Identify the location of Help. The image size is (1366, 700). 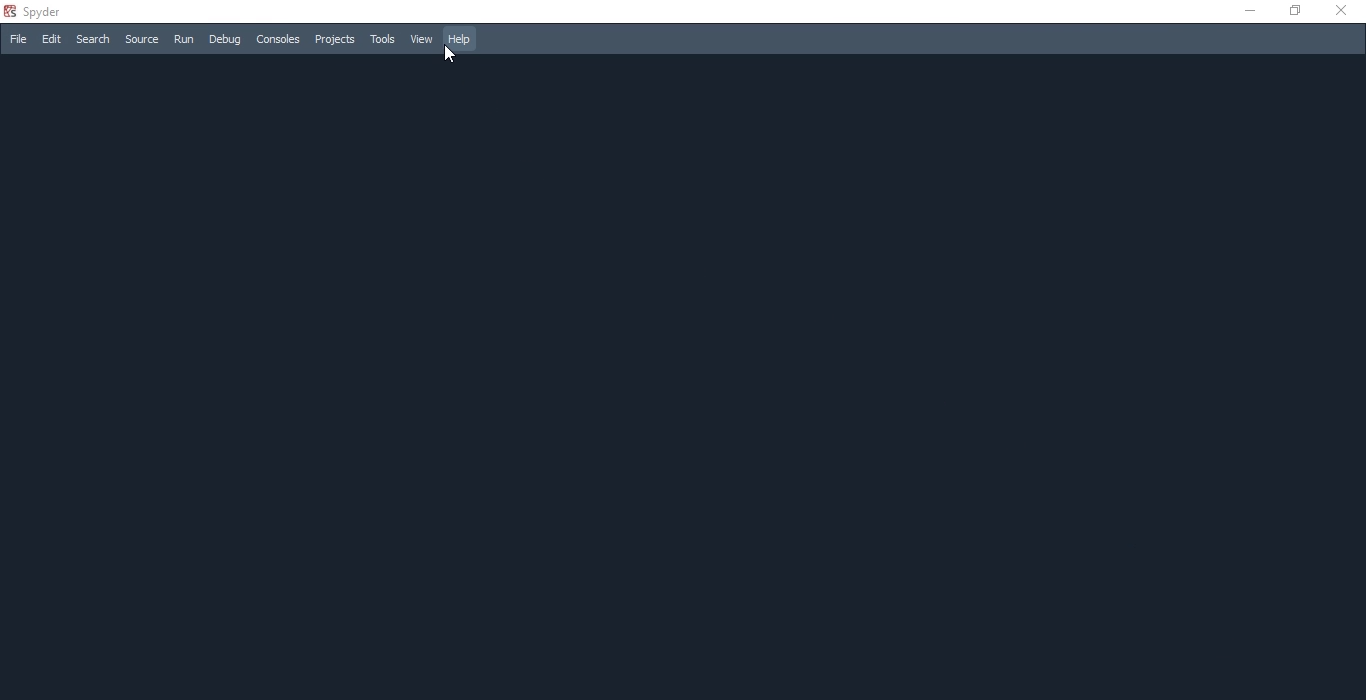
(460, 39).